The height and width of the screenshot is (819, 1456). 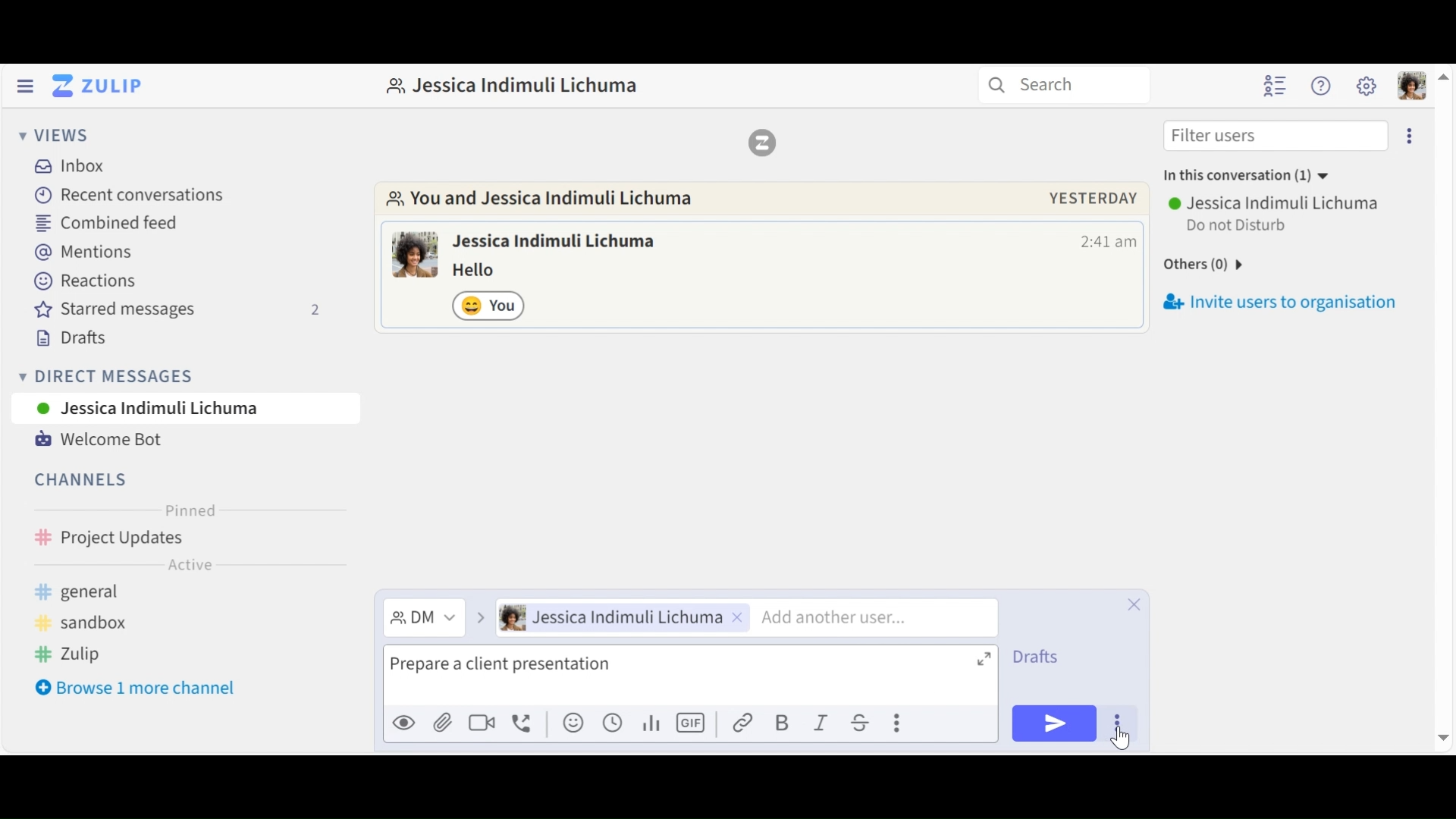 What do you see at coordinates (99, 623) in the screenshot?
I see `sandbox` at bounding box center [99, 623].